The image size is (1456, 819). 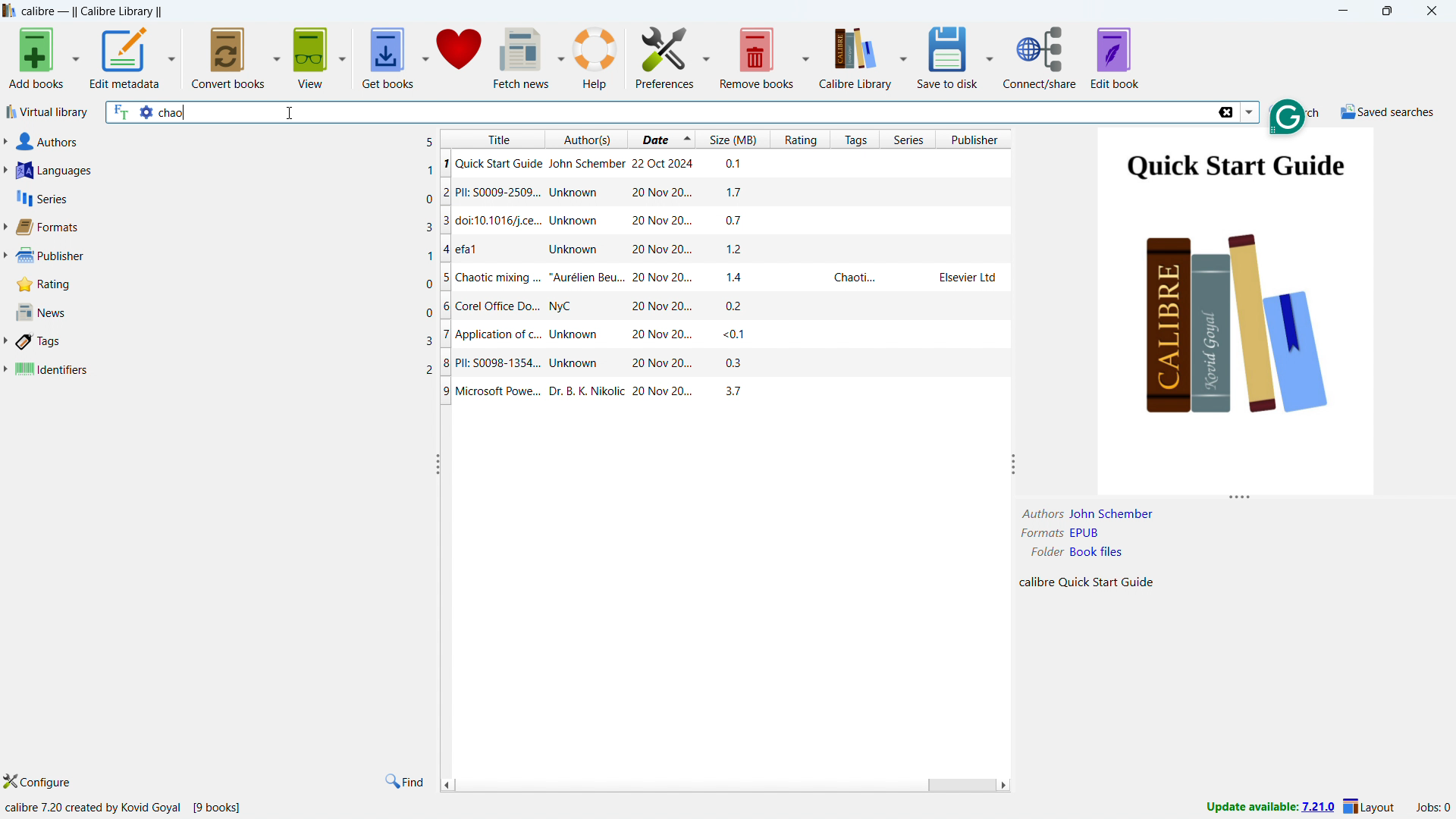 I want to click on get books options, so click(x=425, y=56).